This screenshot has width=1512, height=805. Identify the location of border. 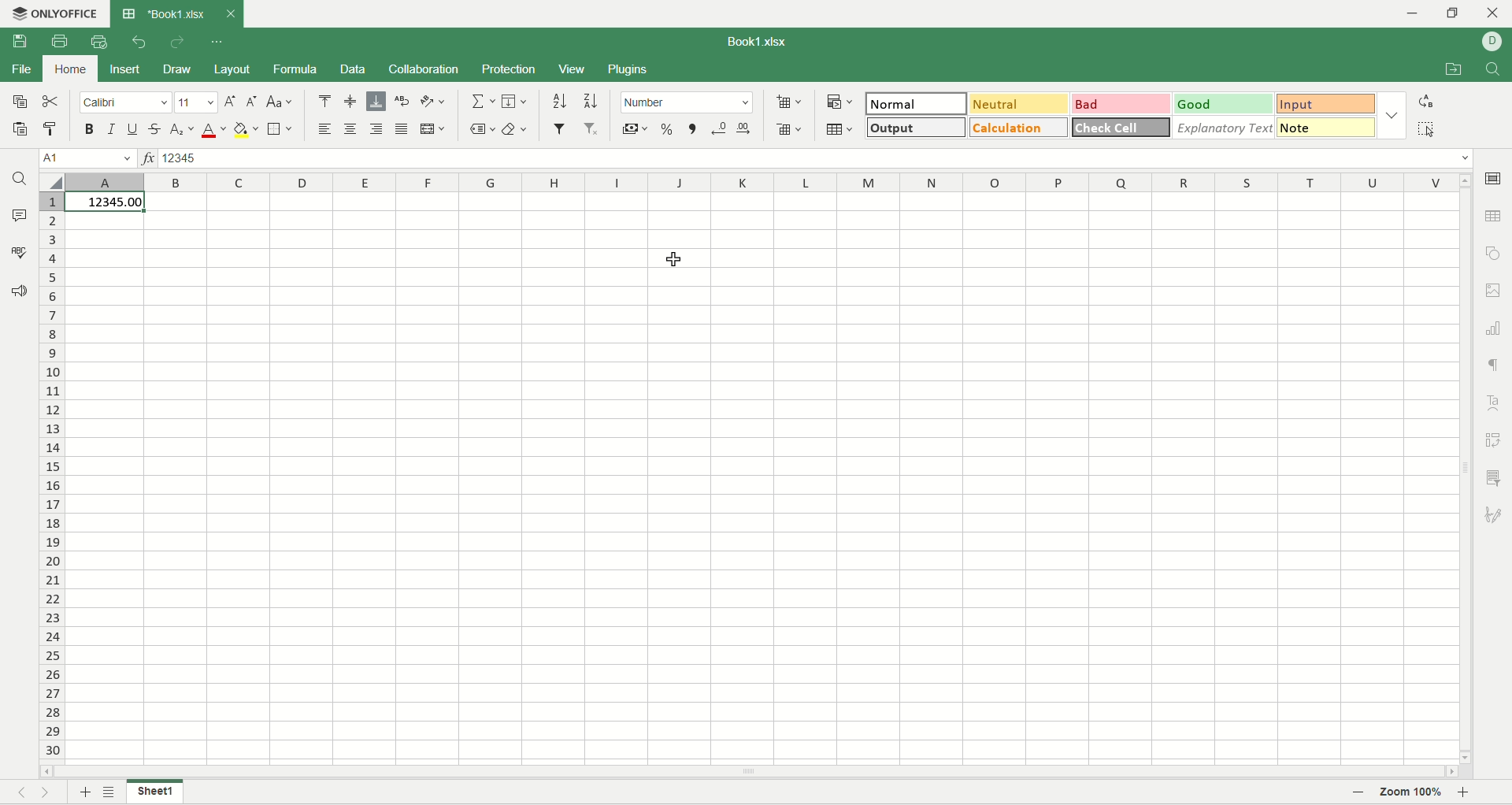
(280, 130).